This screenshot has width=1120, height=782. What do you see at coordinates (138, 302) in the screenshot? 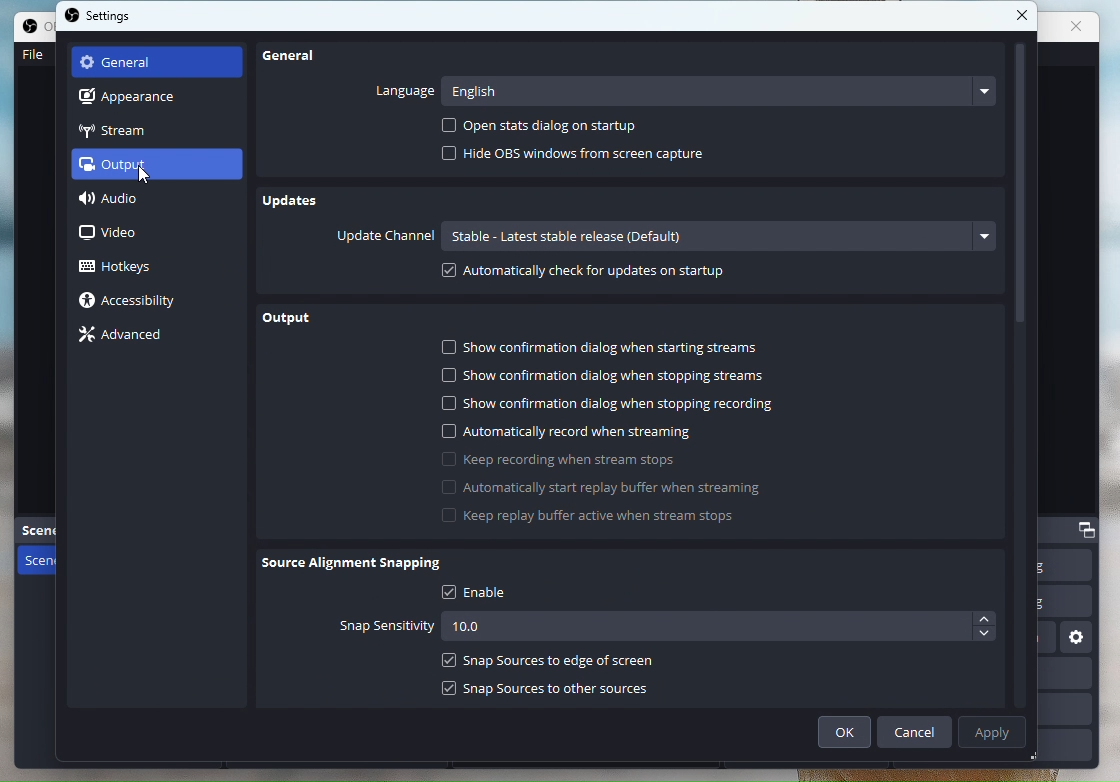
I see `Accessibility` at bounding box center [138, 302].